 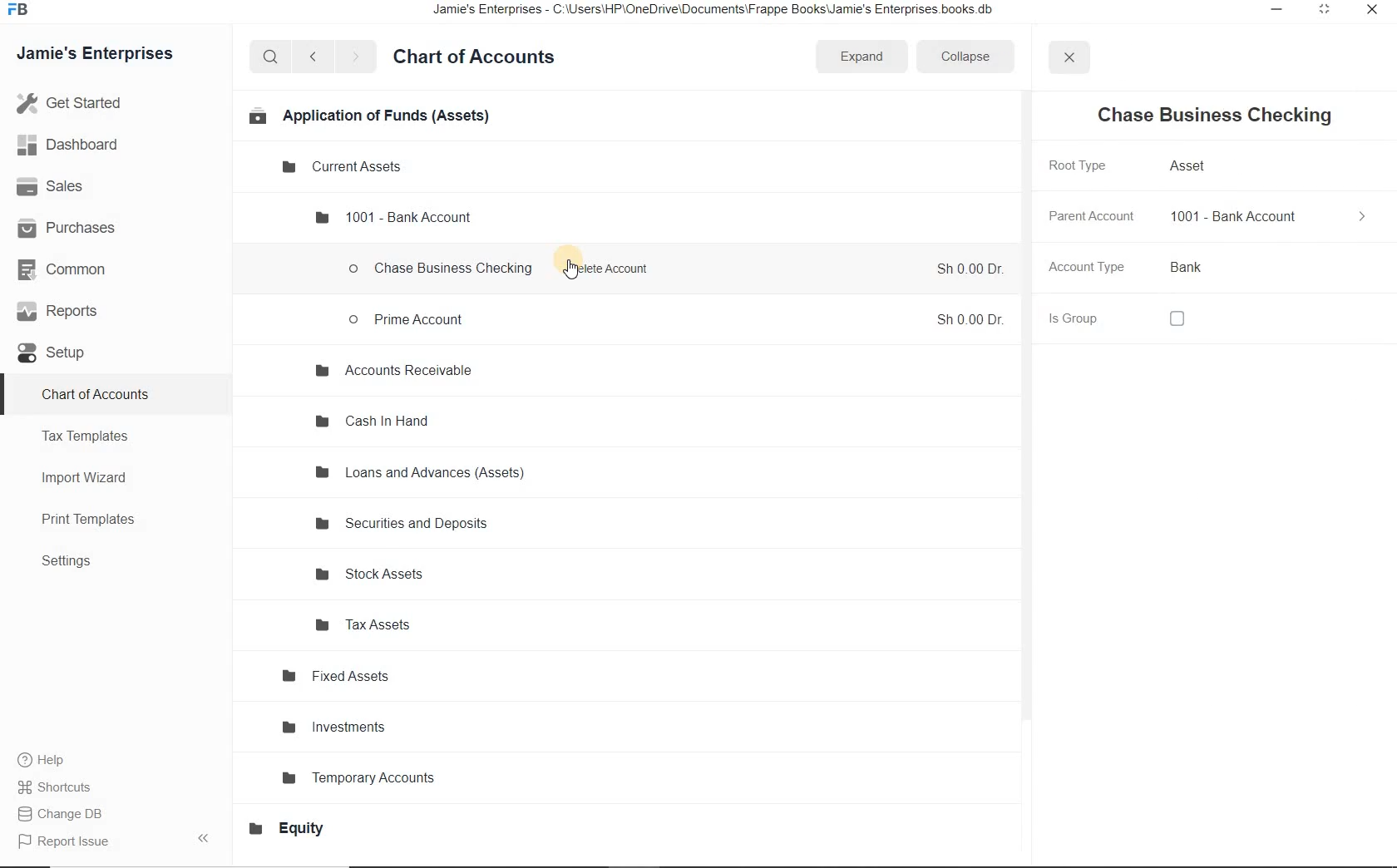 I want to click on Settings, so click(x=74, y=562).